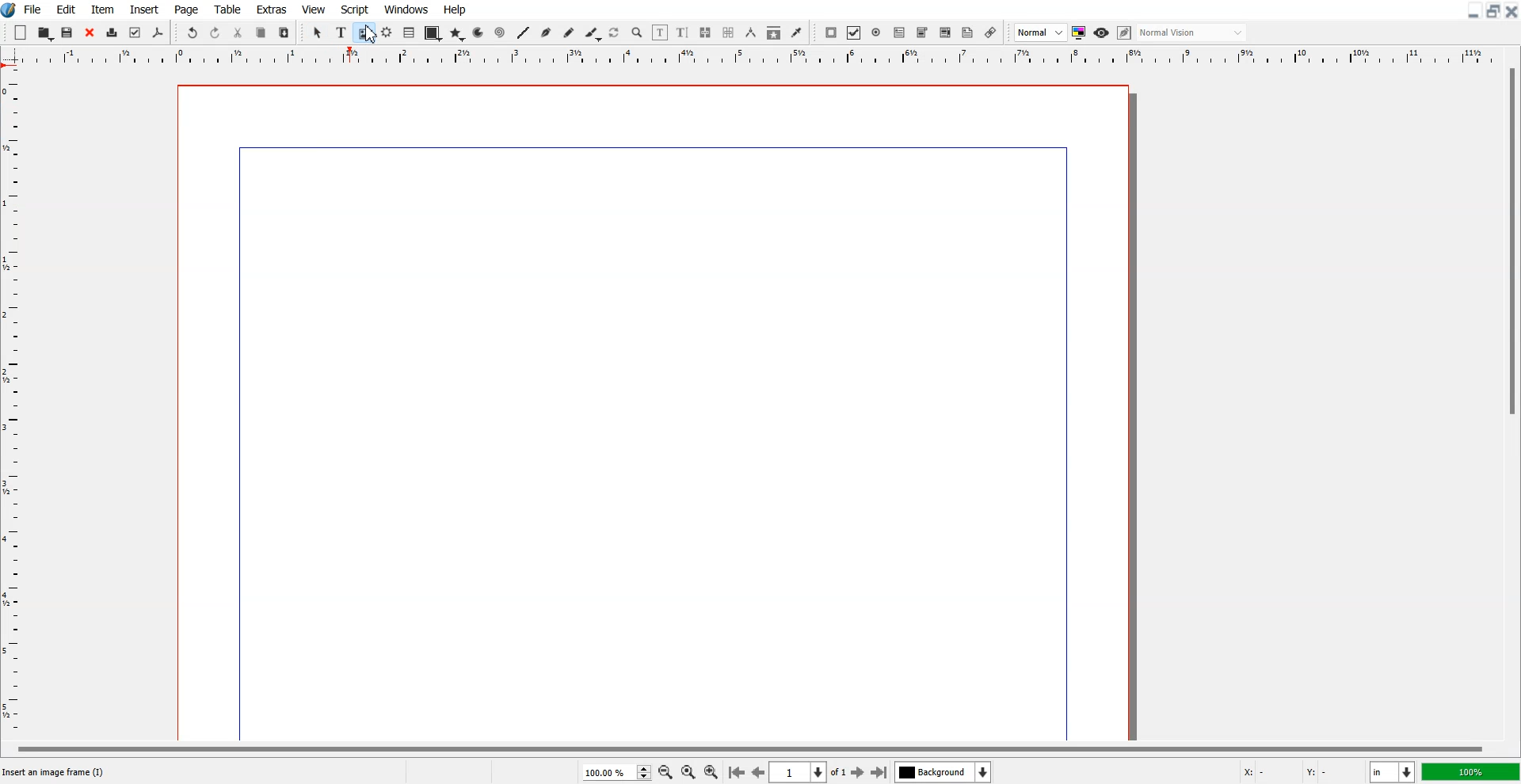 Image resolution: width=1521 pixels, height=784 pixels. What do you see at coordinates (569, 32) in the screenshot?
I see `Freehand Line` at bounding box center [569, 32].